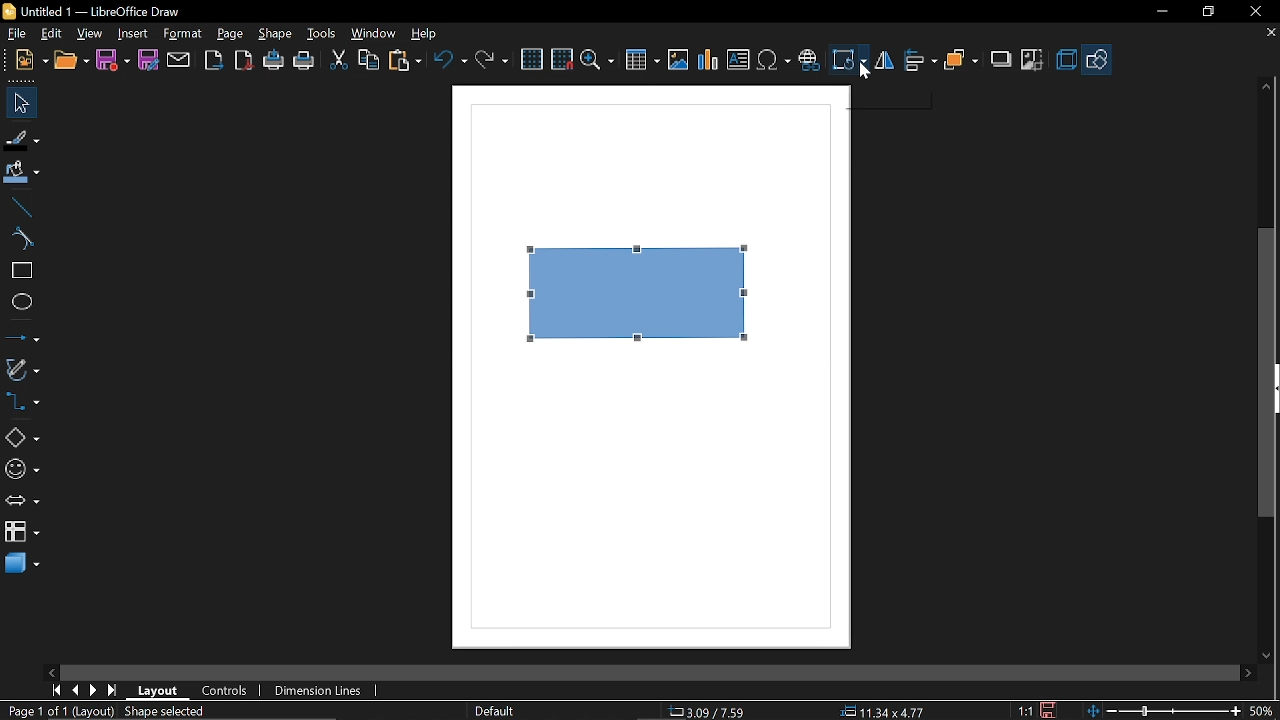 This screenshot has width=1280, height=720. What do you see at coordinates (1066, 60) in the screenshot?
I see `3d effect` at bounding box center [1066, 60].